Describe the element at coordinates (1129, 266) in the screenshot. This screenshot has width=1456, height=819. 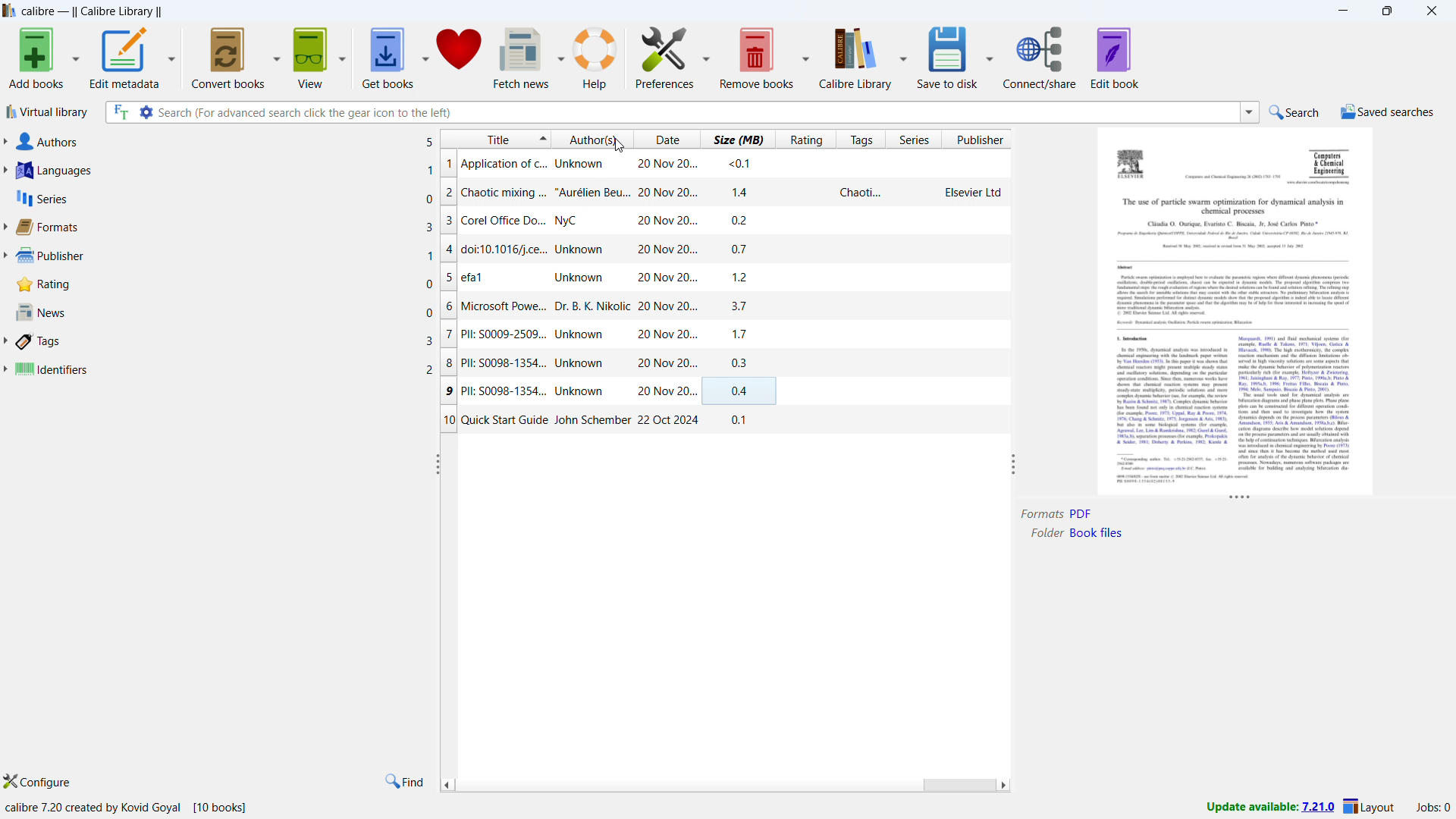
I see `` at that location.